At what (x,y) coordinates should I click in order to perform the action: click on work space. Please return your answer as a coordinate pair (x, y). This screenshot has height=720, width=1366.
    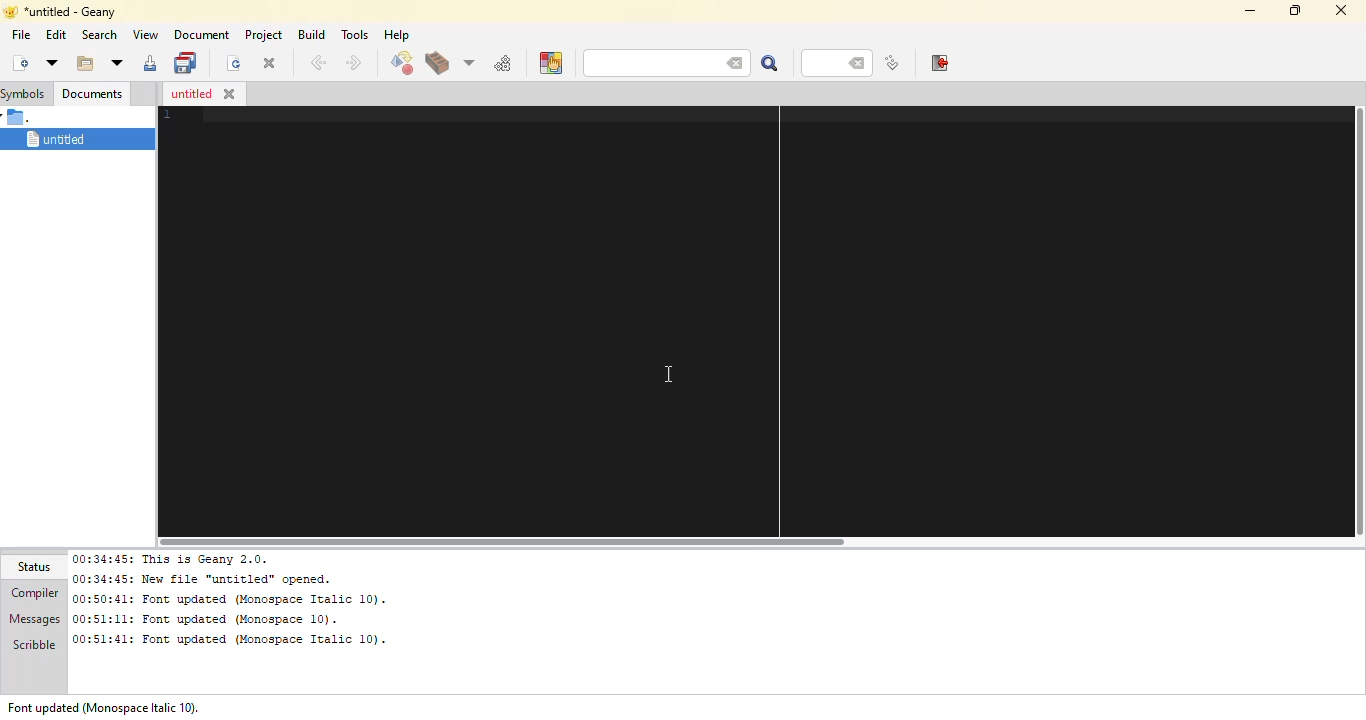
    Looking at the image, I should click on (745, 327).